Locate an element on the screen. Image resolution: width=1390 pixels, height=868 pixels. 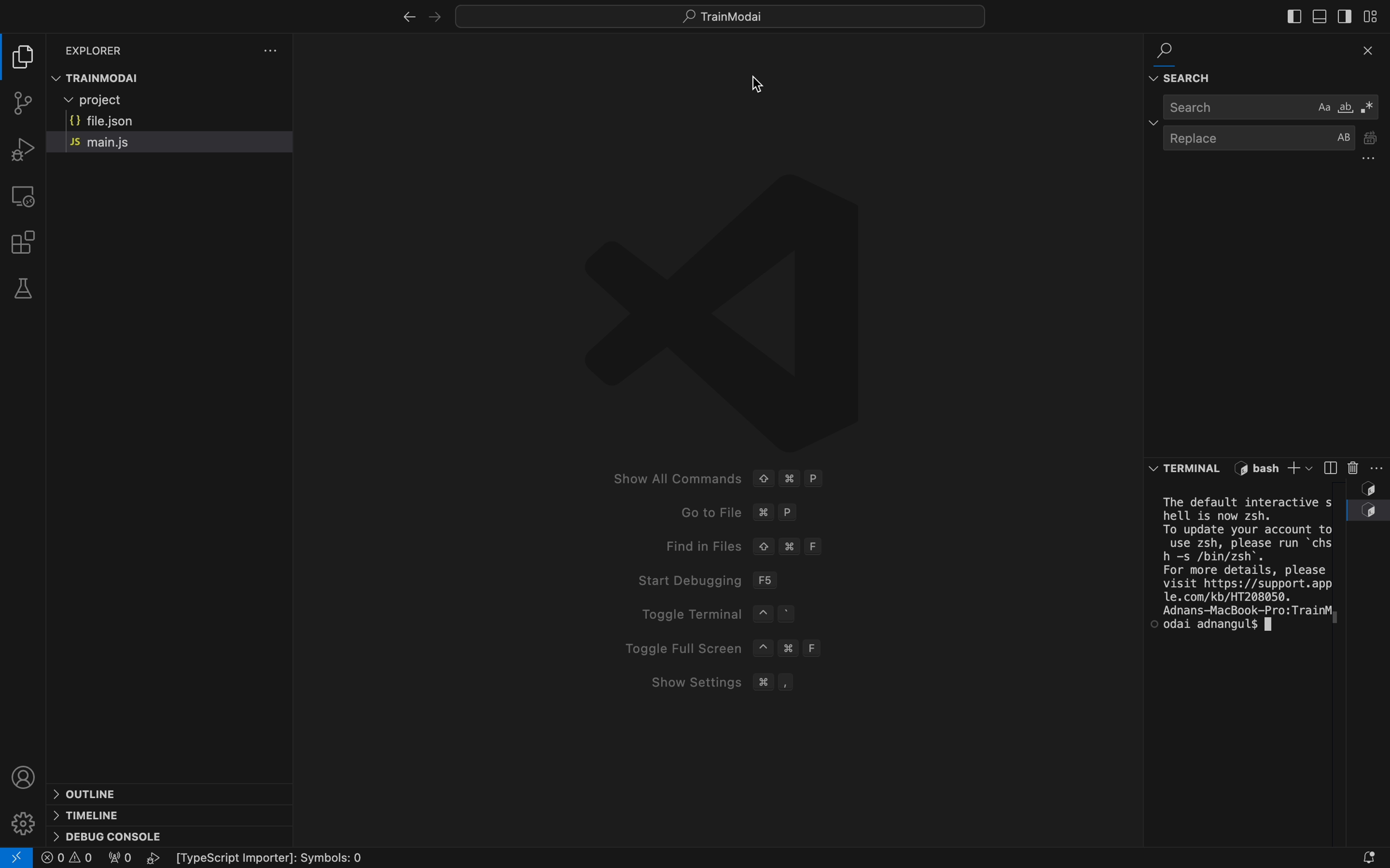
EXPLORER is located at coordinates (96, 46).